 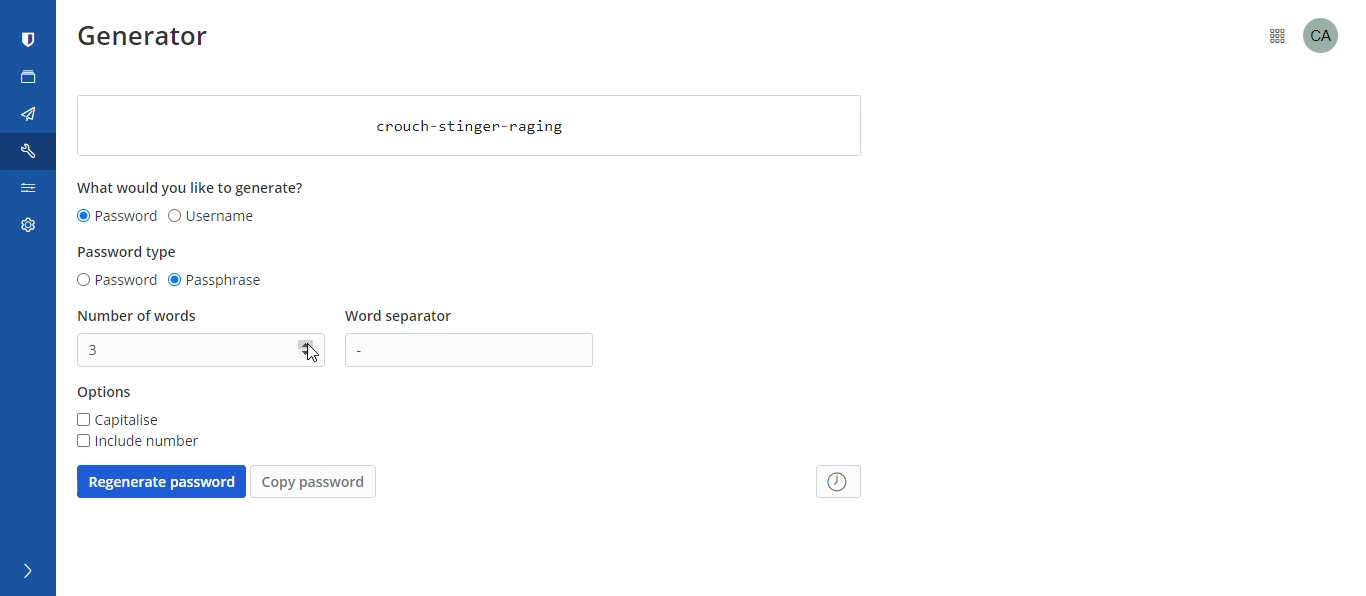 I want to click on what would you like to generate?, so click(x=193, y=187).